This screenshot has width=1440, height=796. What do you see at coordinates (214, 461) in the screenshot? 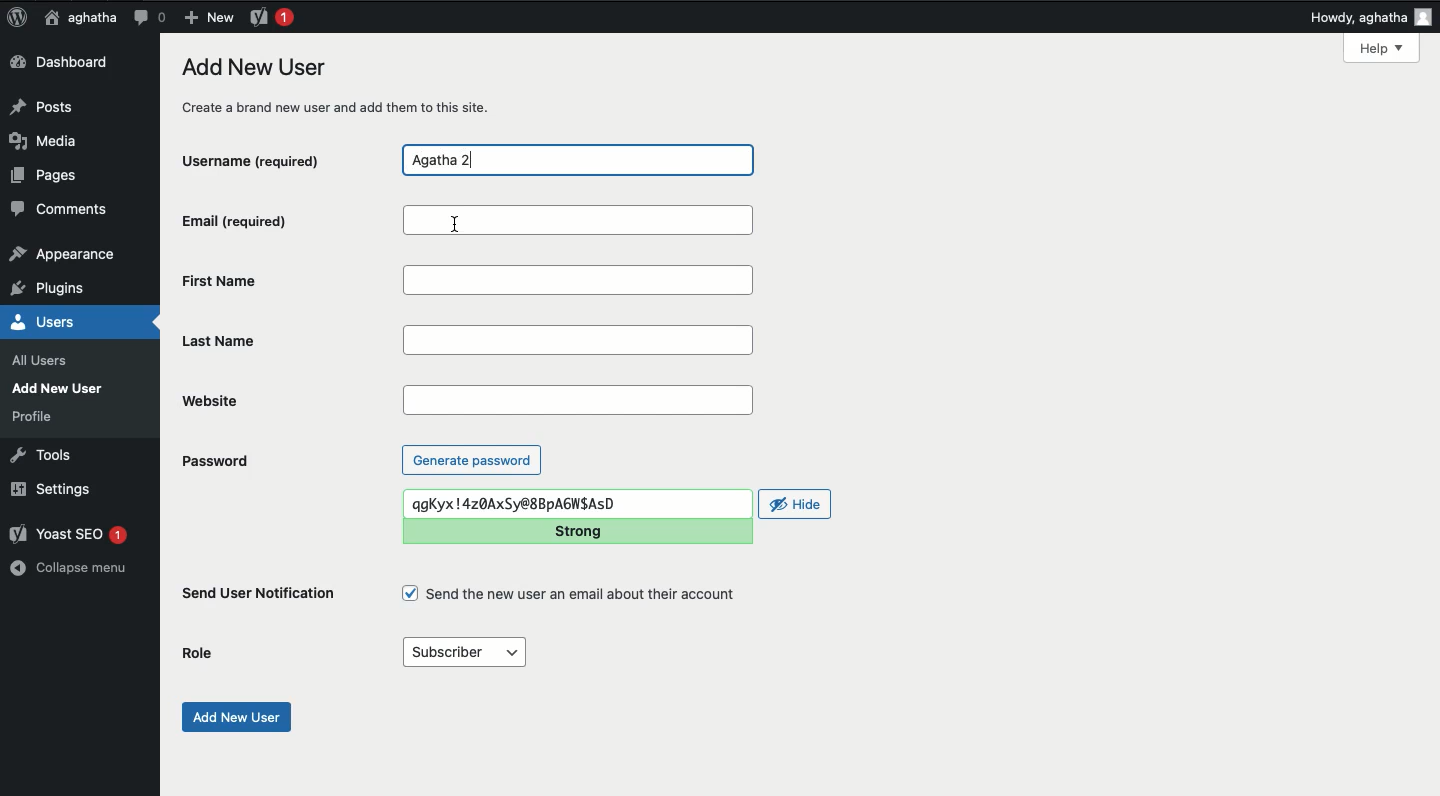
I see `Password` at bounding box center [214, 461].